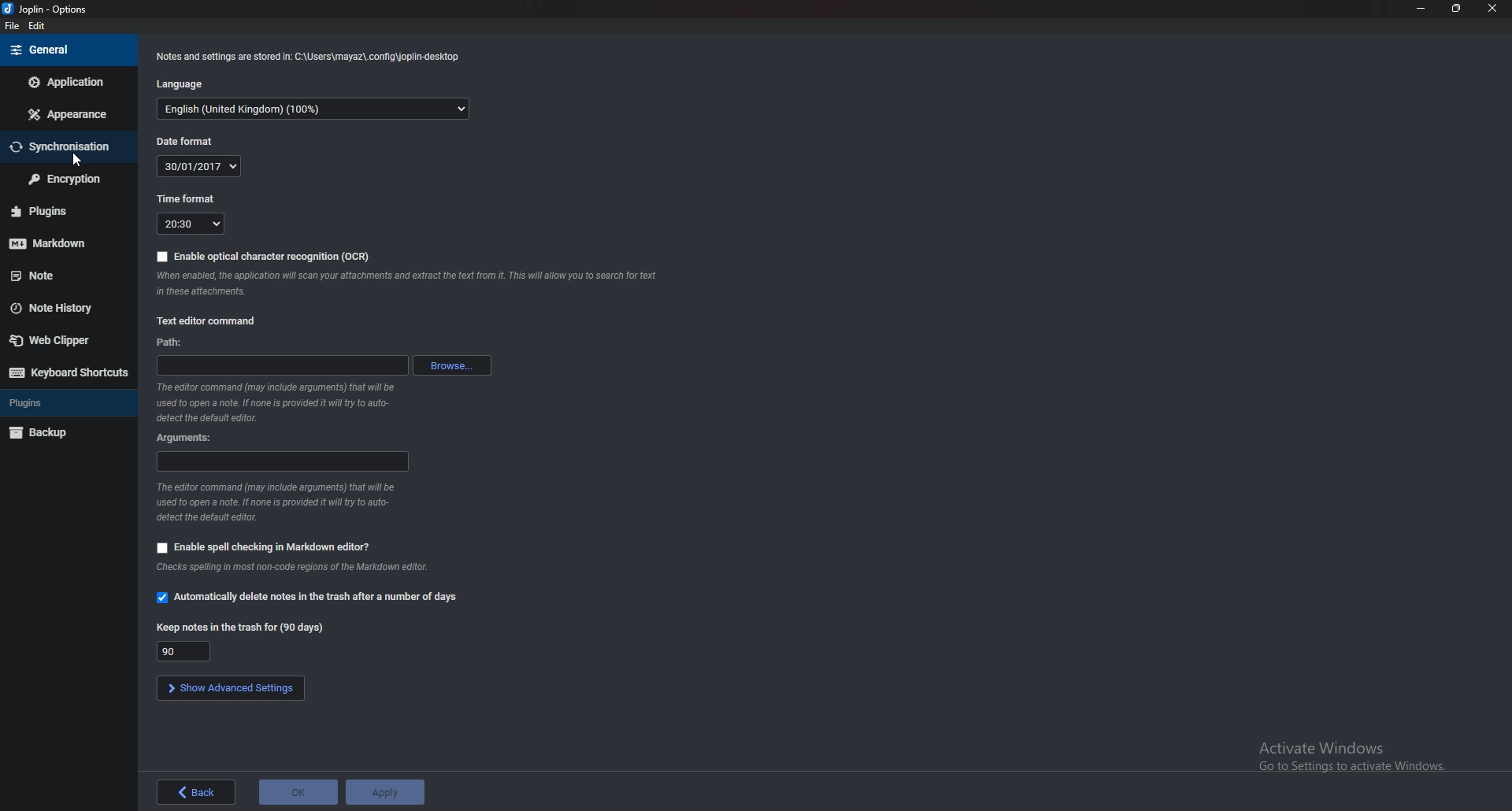 The image size is (1512, 811). Describe the element at coordinates (66, 81) in the screenshot. I see `application` at that location.